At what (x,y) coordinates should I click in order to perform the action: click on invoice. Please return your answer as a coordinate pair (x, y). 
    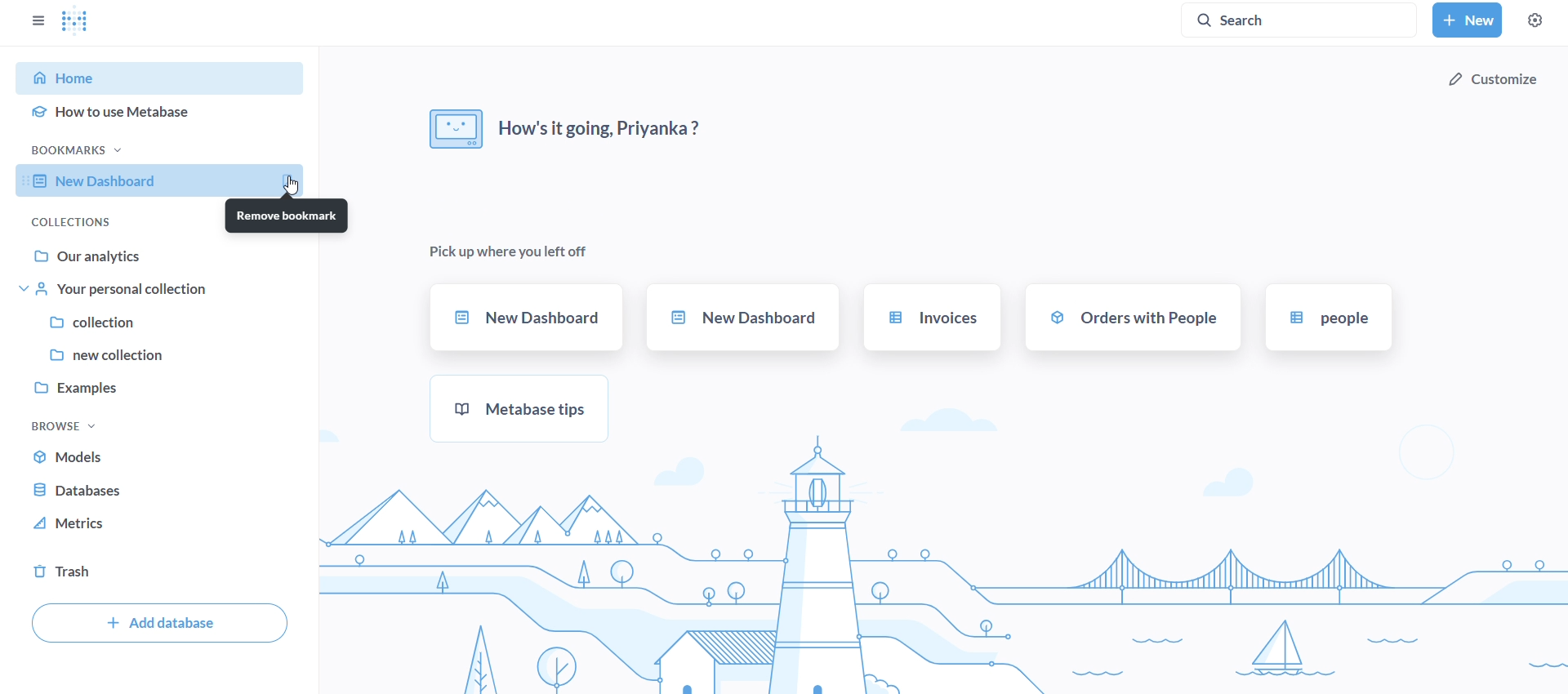
    Looking at the image, I should click on (931, 318).